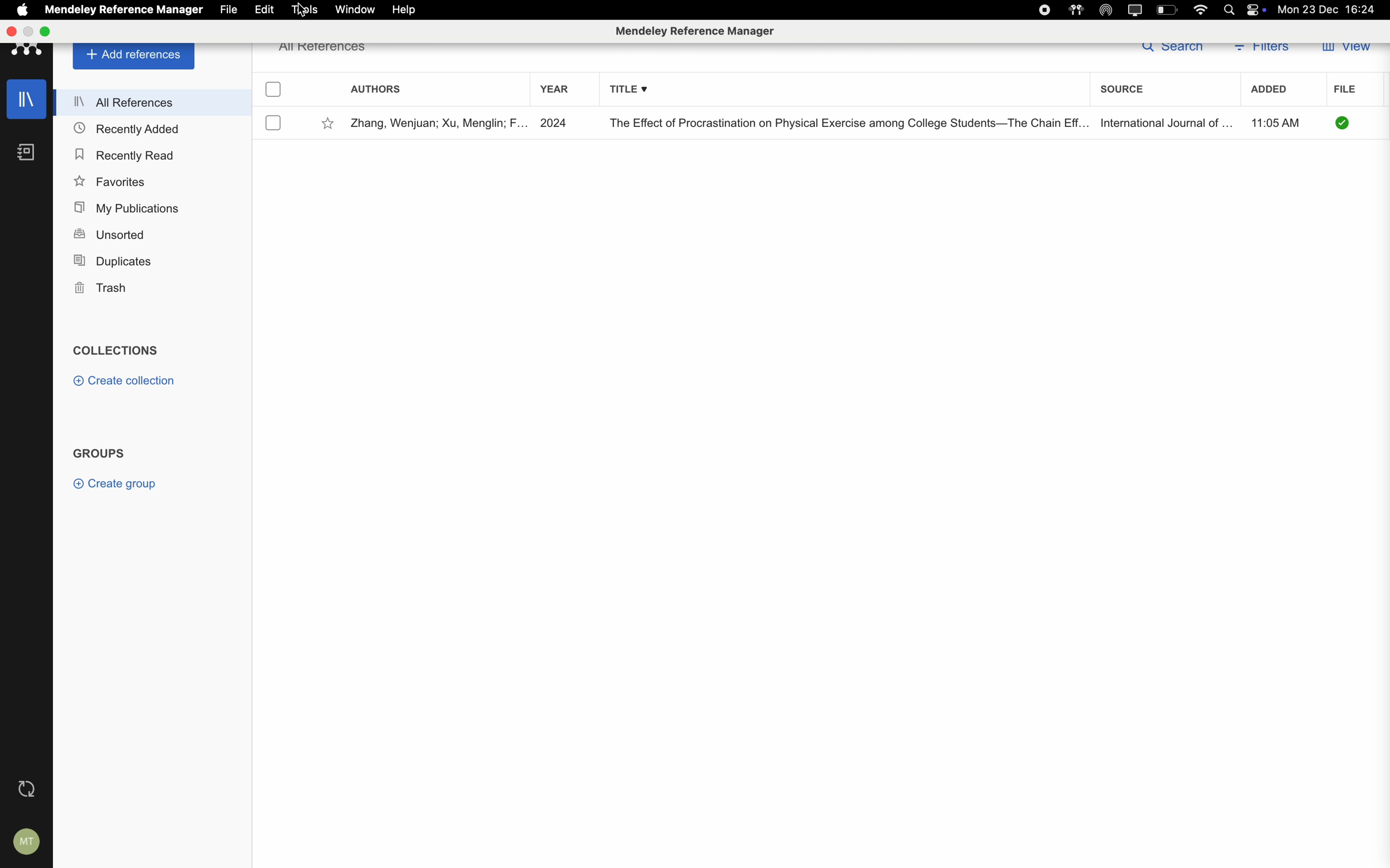 The height and width of the screenshot is (868, 1390). Describe the element at coordinates (110, 232) in the screenshot. I see `unsorted` at that location.